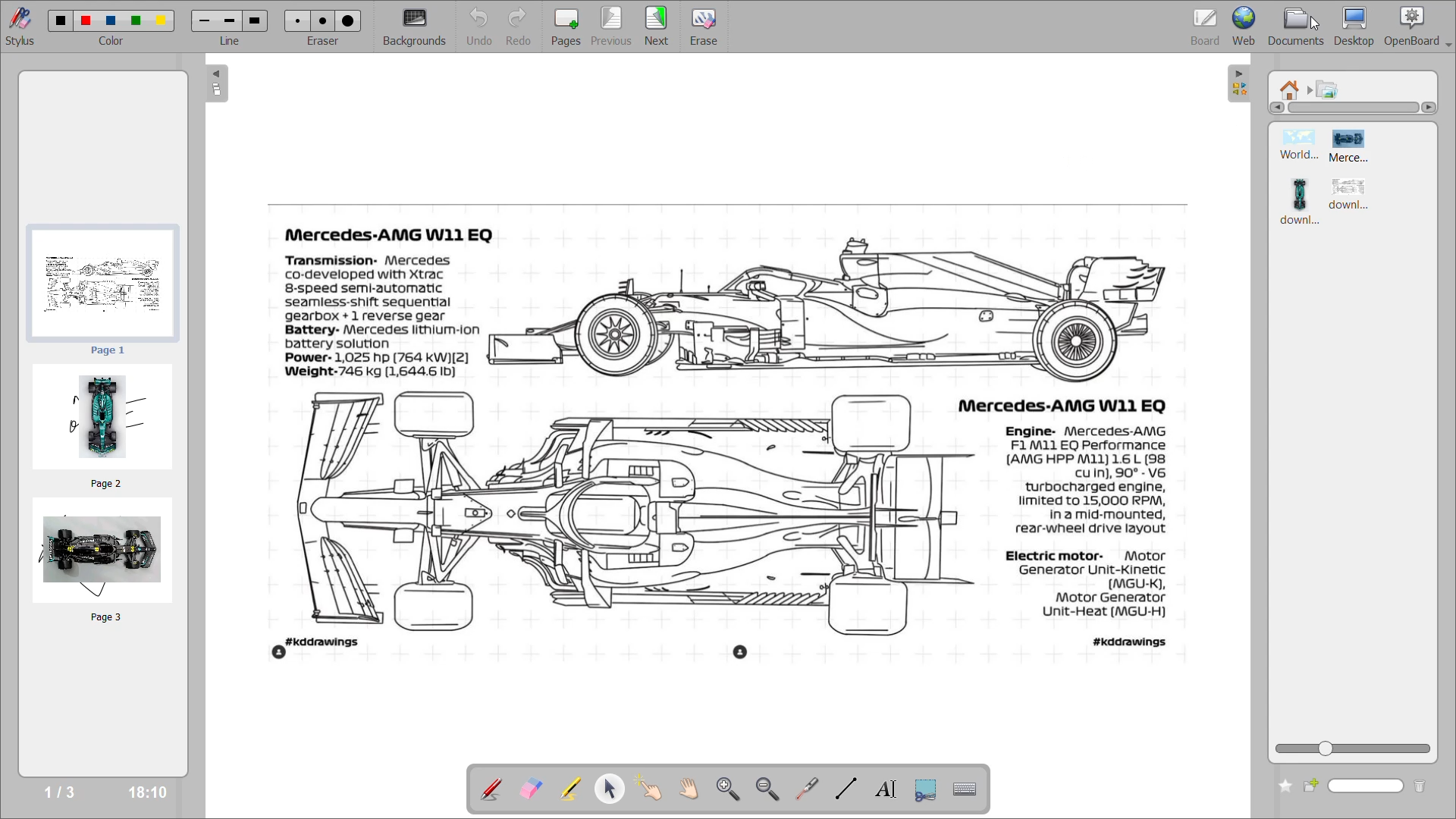 This screenshot has width=1456, height=819. What do you see at coordinates (144, 793) in the screenshot?
I see `18:10` at bounding box center [144, 793].